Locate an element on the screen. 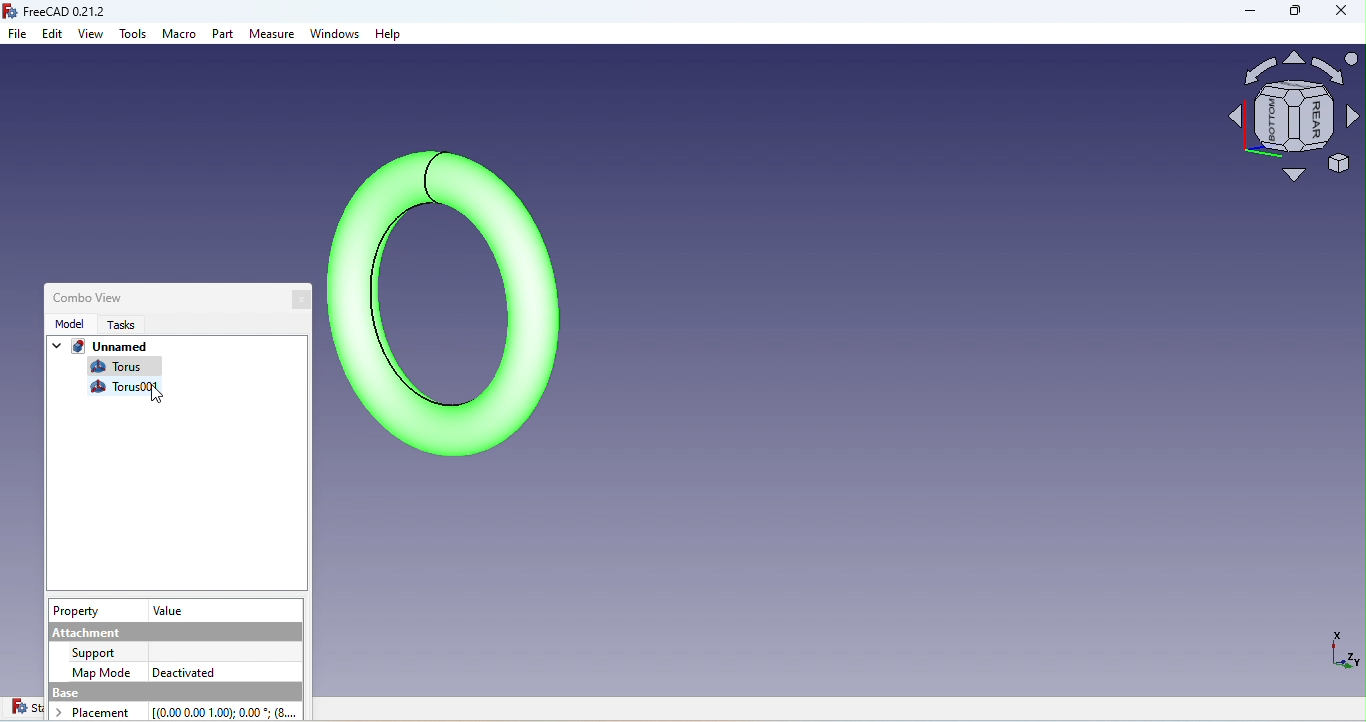 This screenshot has height=722, width=1366. cursor is located at coordinates (156, 394).